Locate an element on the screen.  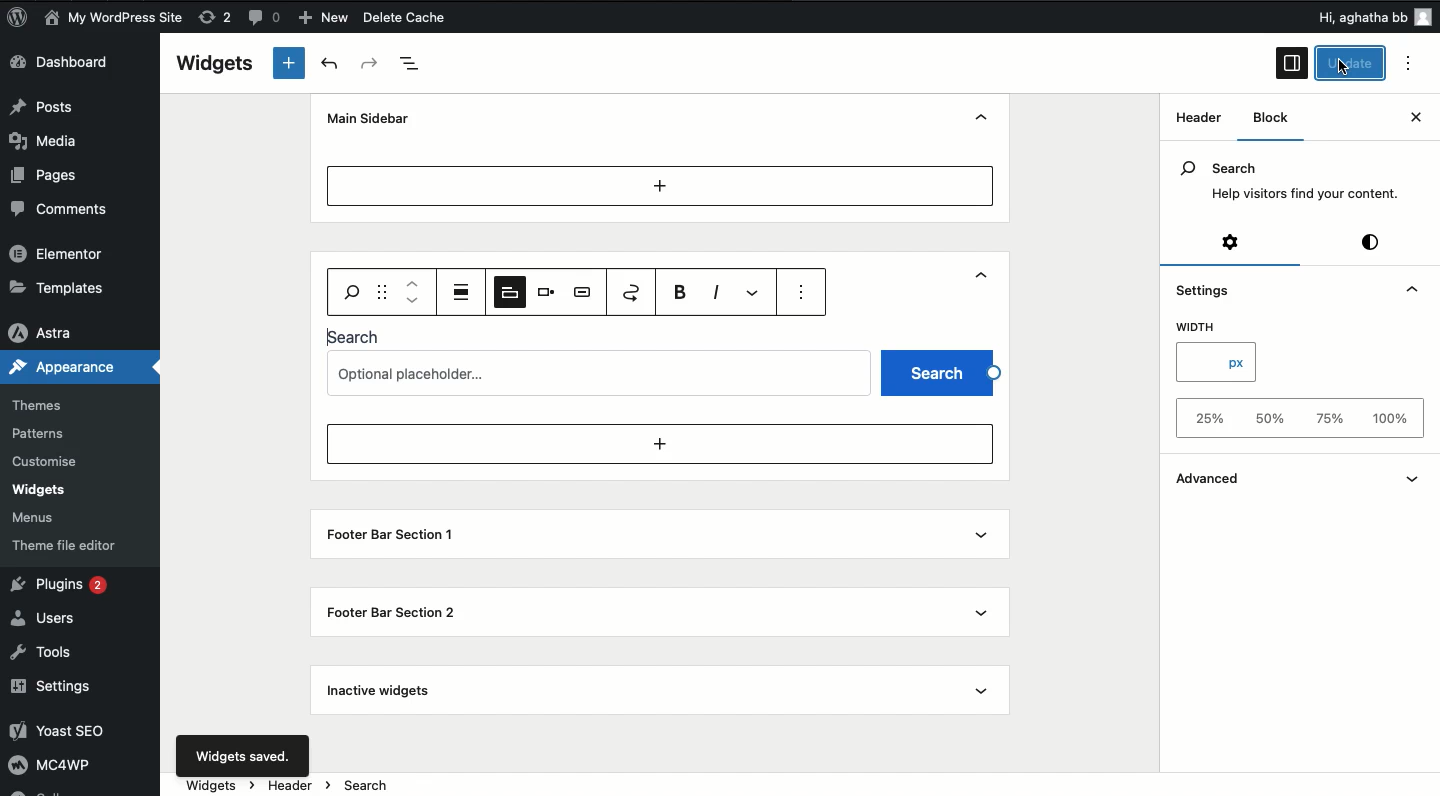
Dashboard is located at coordinates (74, 64).